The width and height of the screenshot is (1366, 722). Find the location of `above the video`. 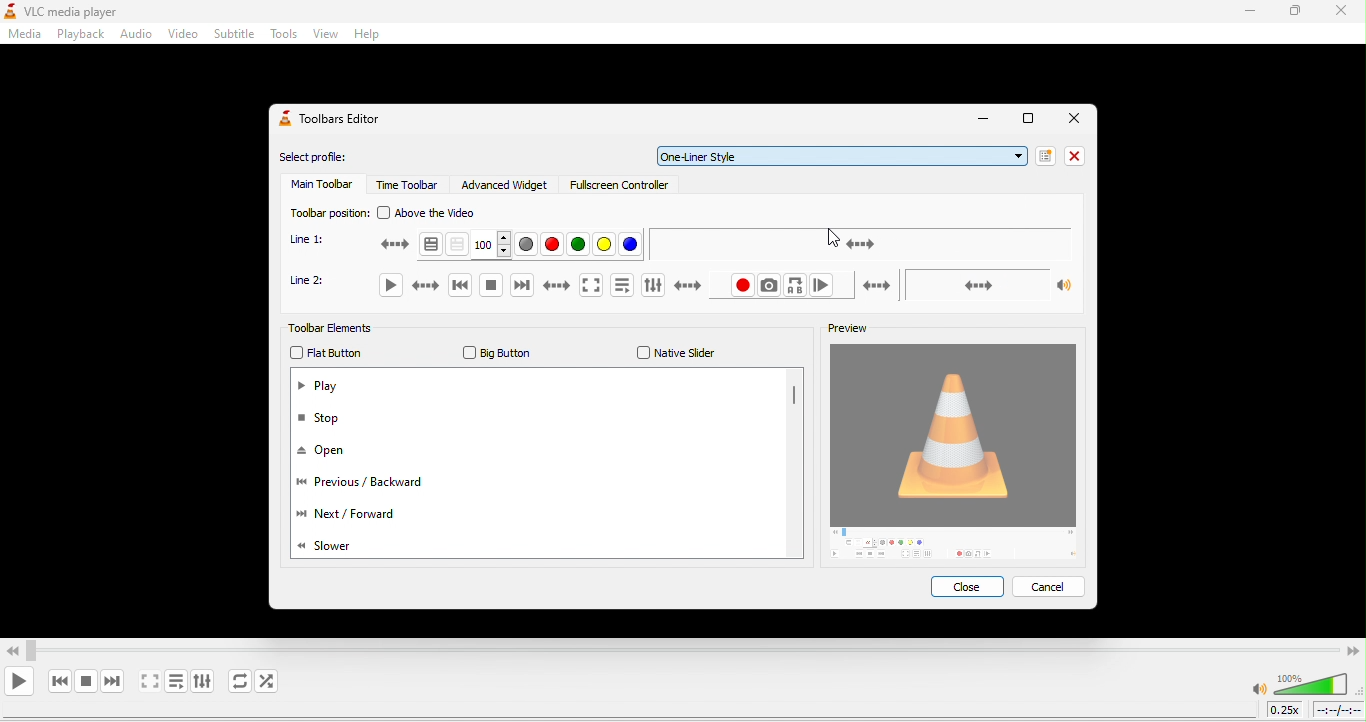

above the video is located at coordinates (437, 213).